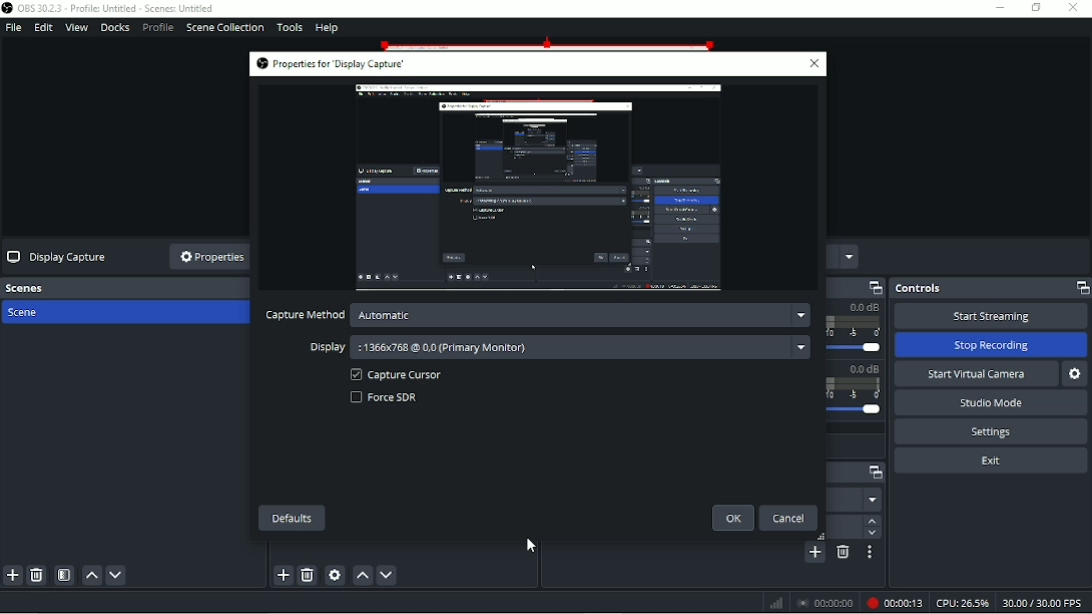  Describe the element at coordinates (579, 348) in the screenshot. I see `:1366x768 @ 0.0 (Primary Monitor) ` at that location.